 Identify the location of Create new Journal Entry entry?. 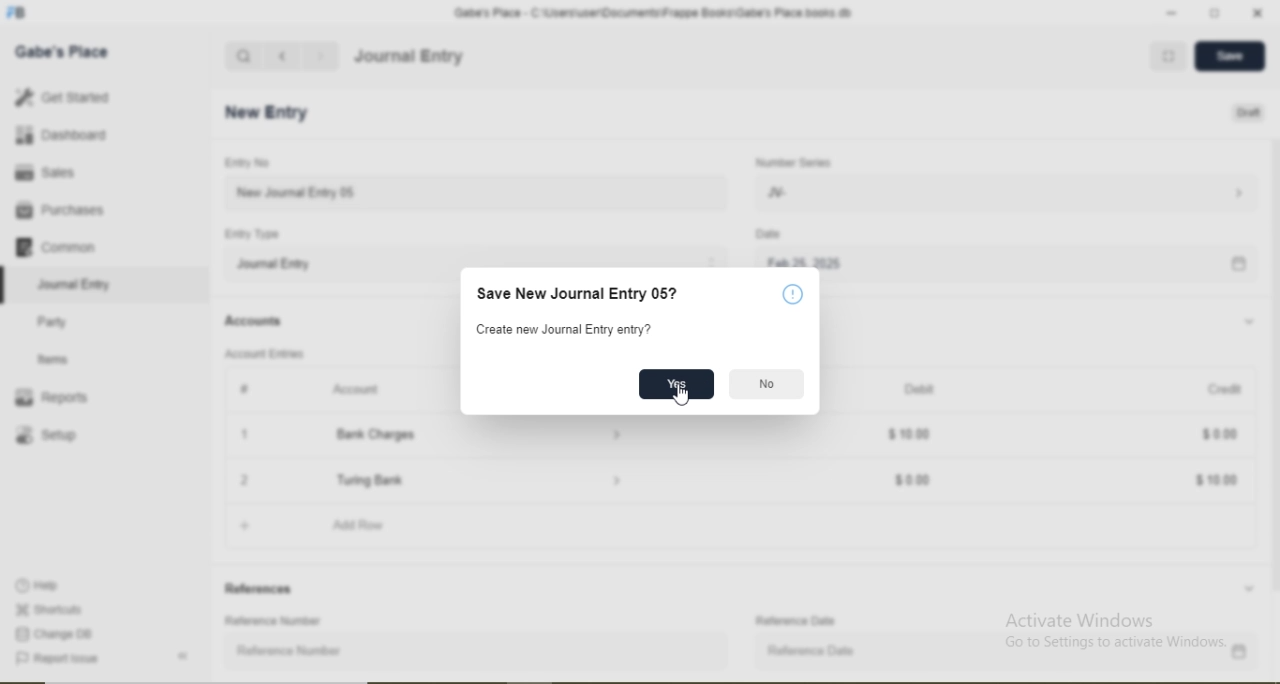
(567, 331).